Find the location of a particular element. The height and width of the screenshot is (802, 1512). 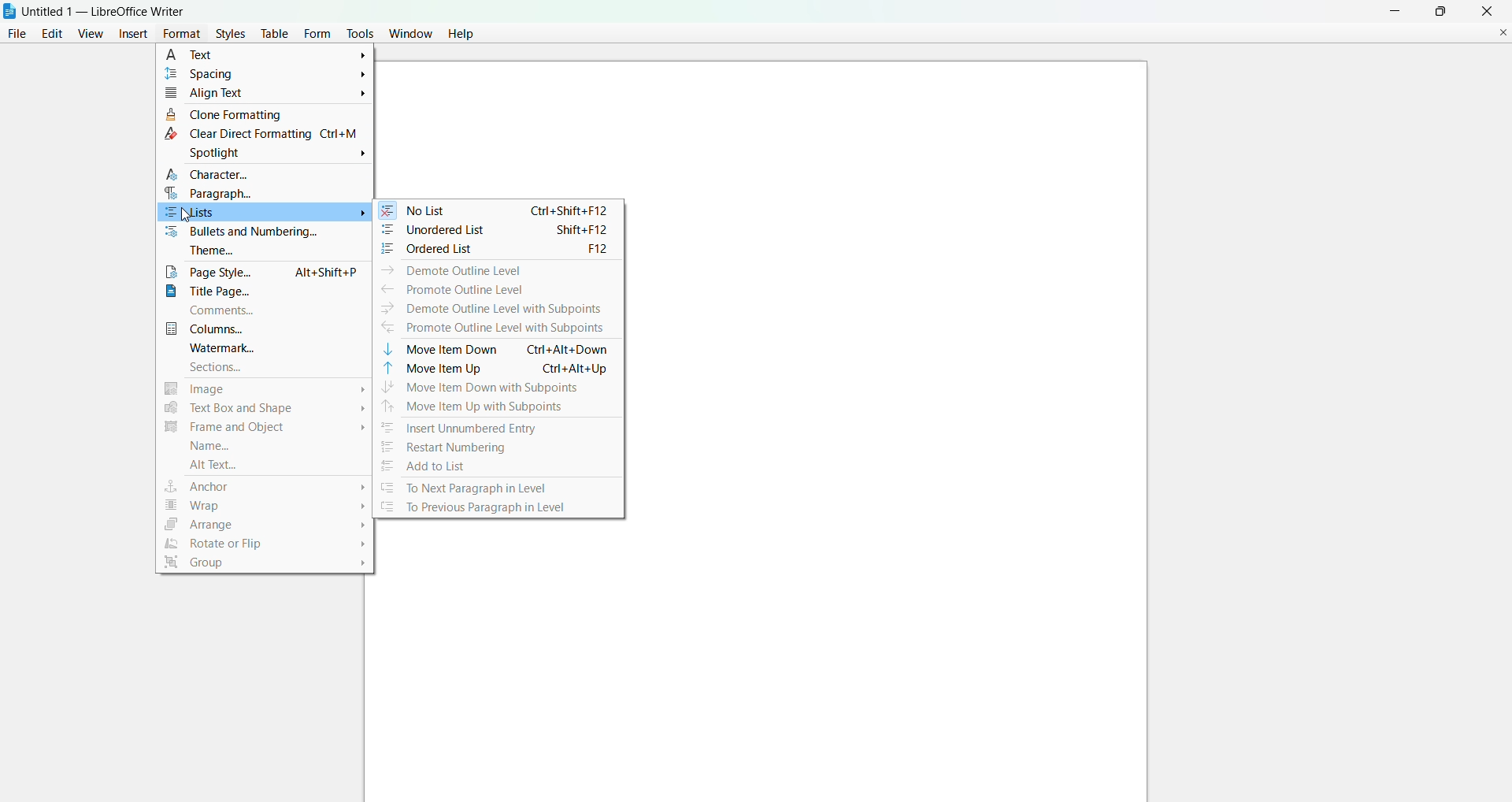

bullets and numbering is located at coordinates (241, 232).